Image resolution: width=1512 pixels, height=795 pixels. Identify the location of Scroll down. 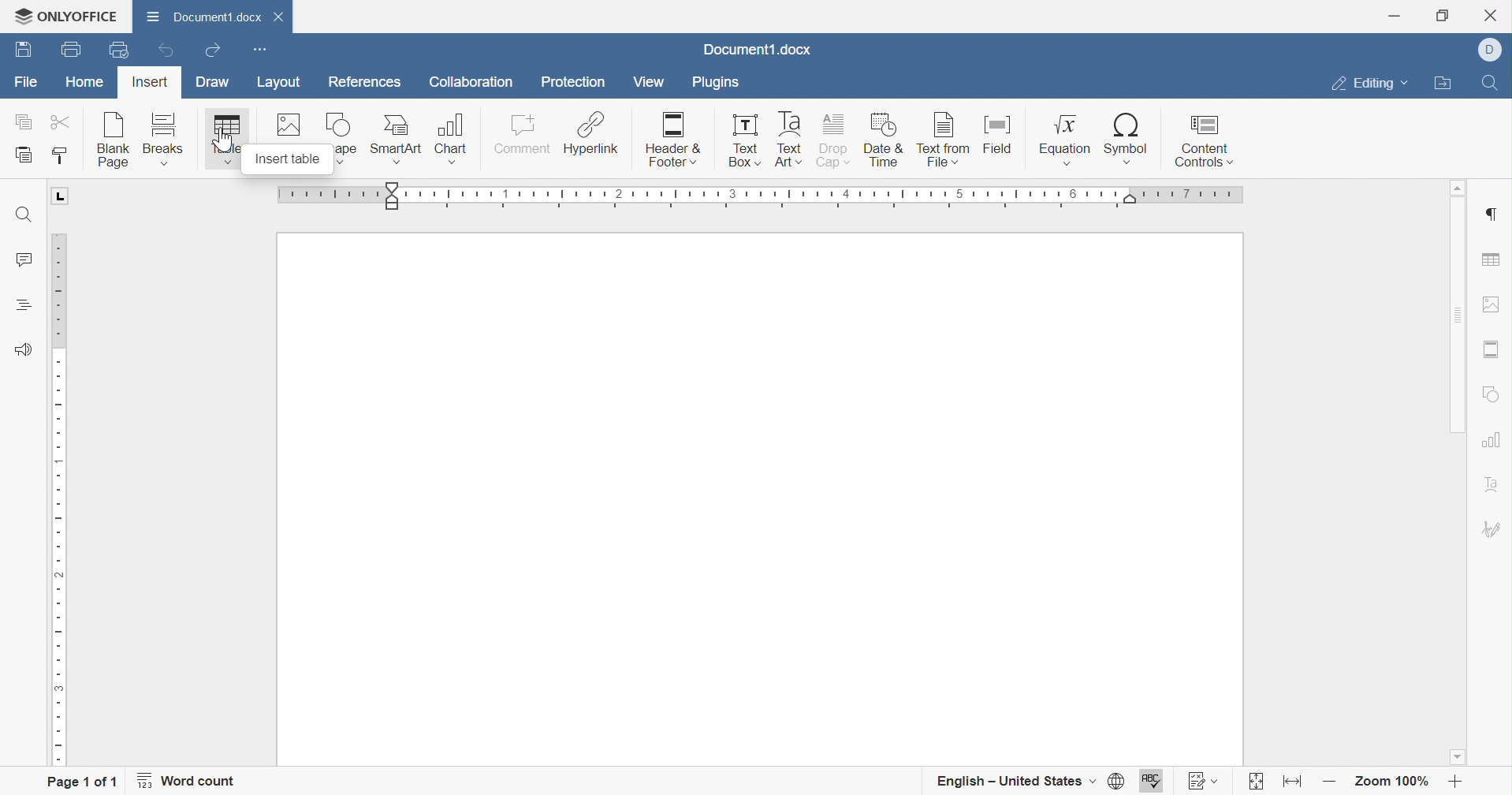
(1458, 758).